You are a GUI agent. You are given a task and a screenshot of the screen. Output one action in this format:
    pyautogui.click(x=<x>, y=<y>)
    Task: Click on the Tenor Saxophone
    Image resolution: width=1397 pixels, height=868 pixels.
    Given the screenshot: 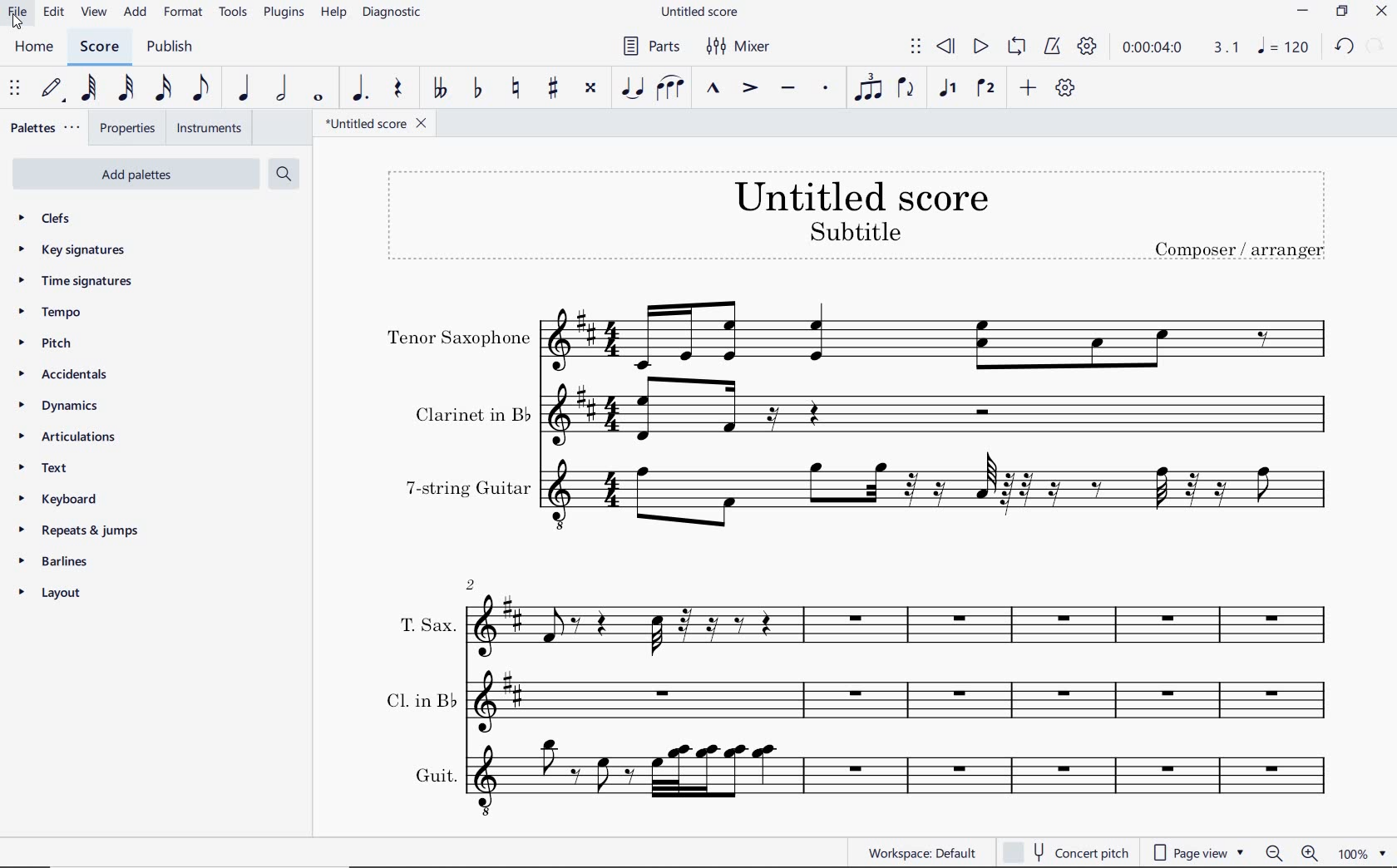 What is the action you would take?
    pyautogui.click(x=857, y=334)
    